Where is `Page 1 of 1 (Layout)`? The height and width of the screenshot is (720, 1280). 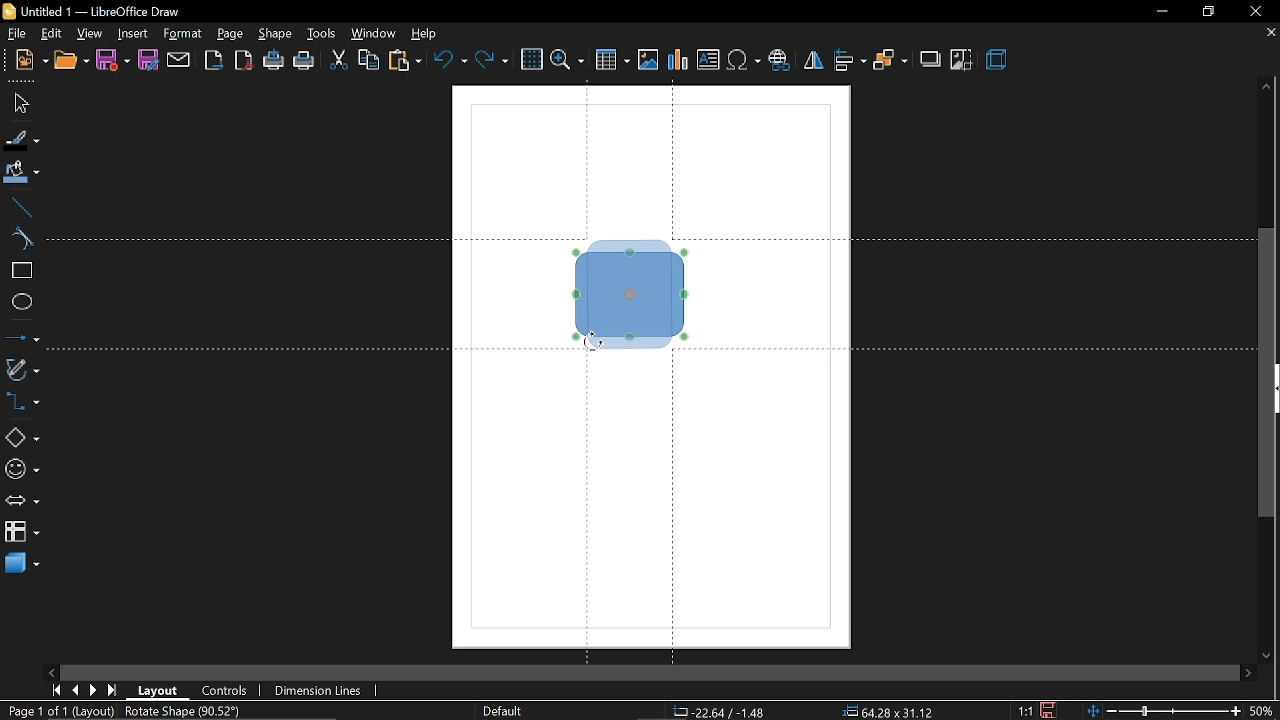 Page 1 of 1 (Layout) is located at coordinates (66, 712).